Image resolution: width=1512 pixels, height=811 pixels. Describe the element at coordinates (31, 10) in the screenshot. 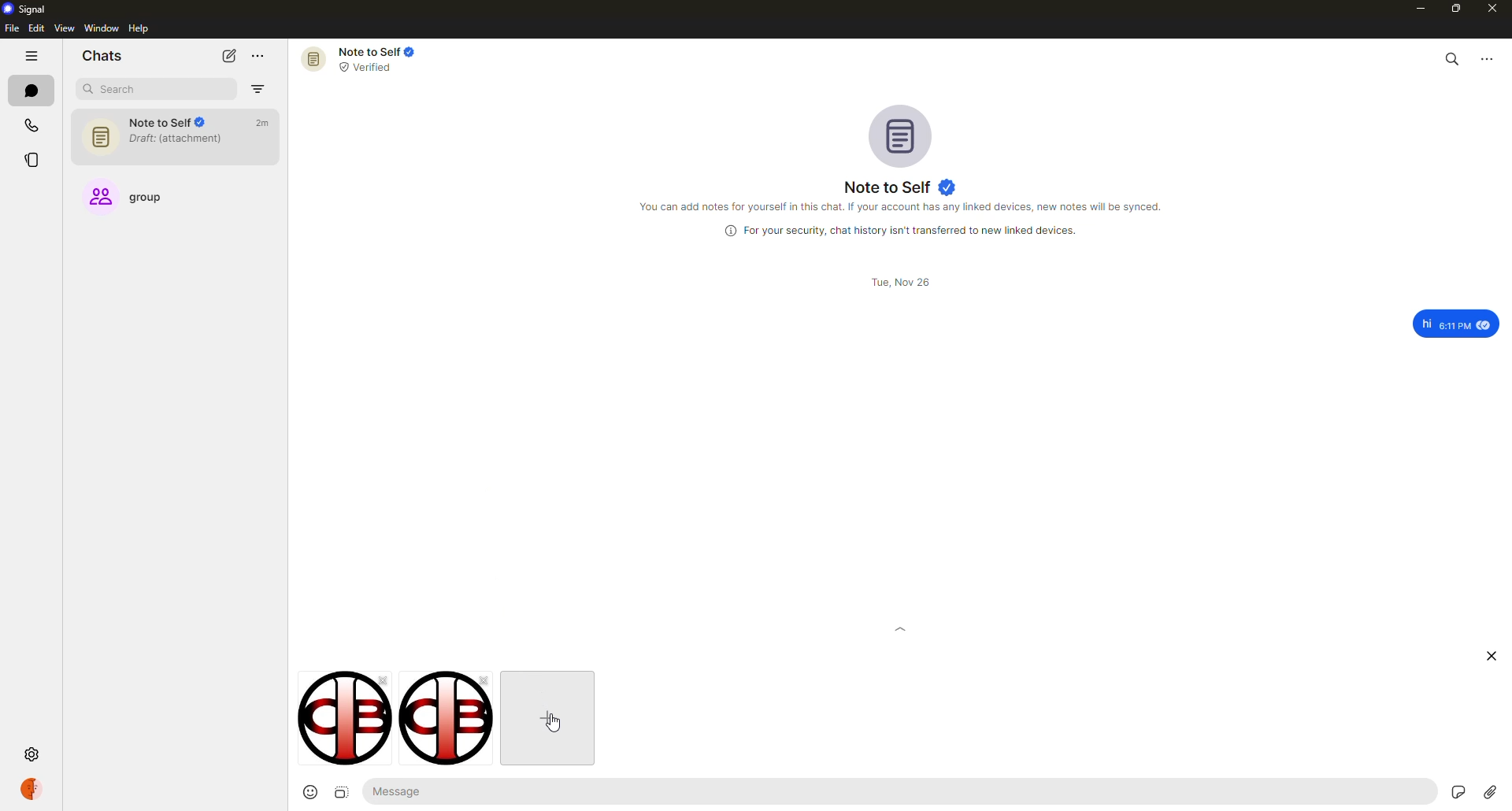

I see `signal` at that location.